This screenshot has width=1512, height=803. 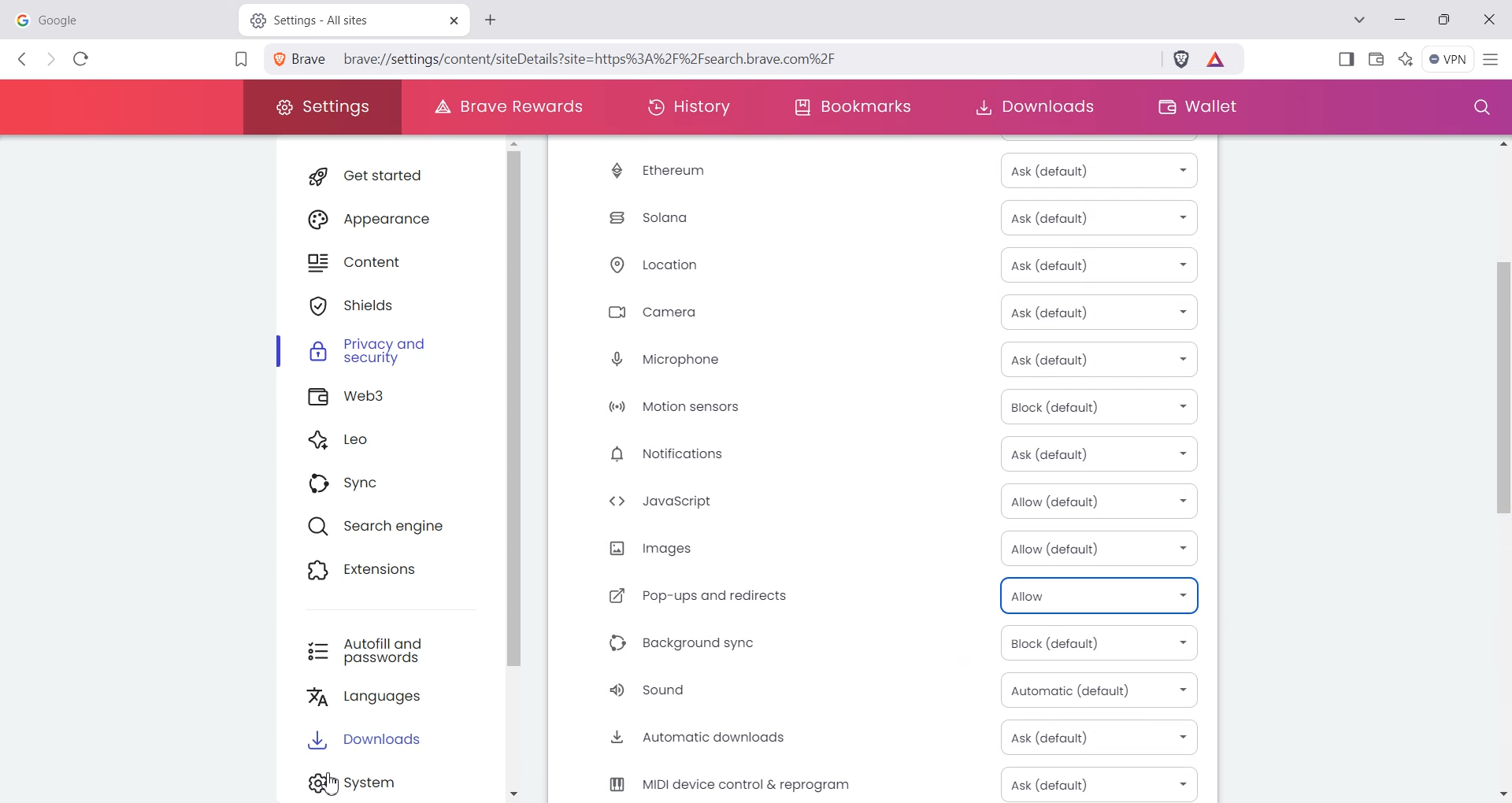 I want to click on Languages, so click(x=396, y=699).